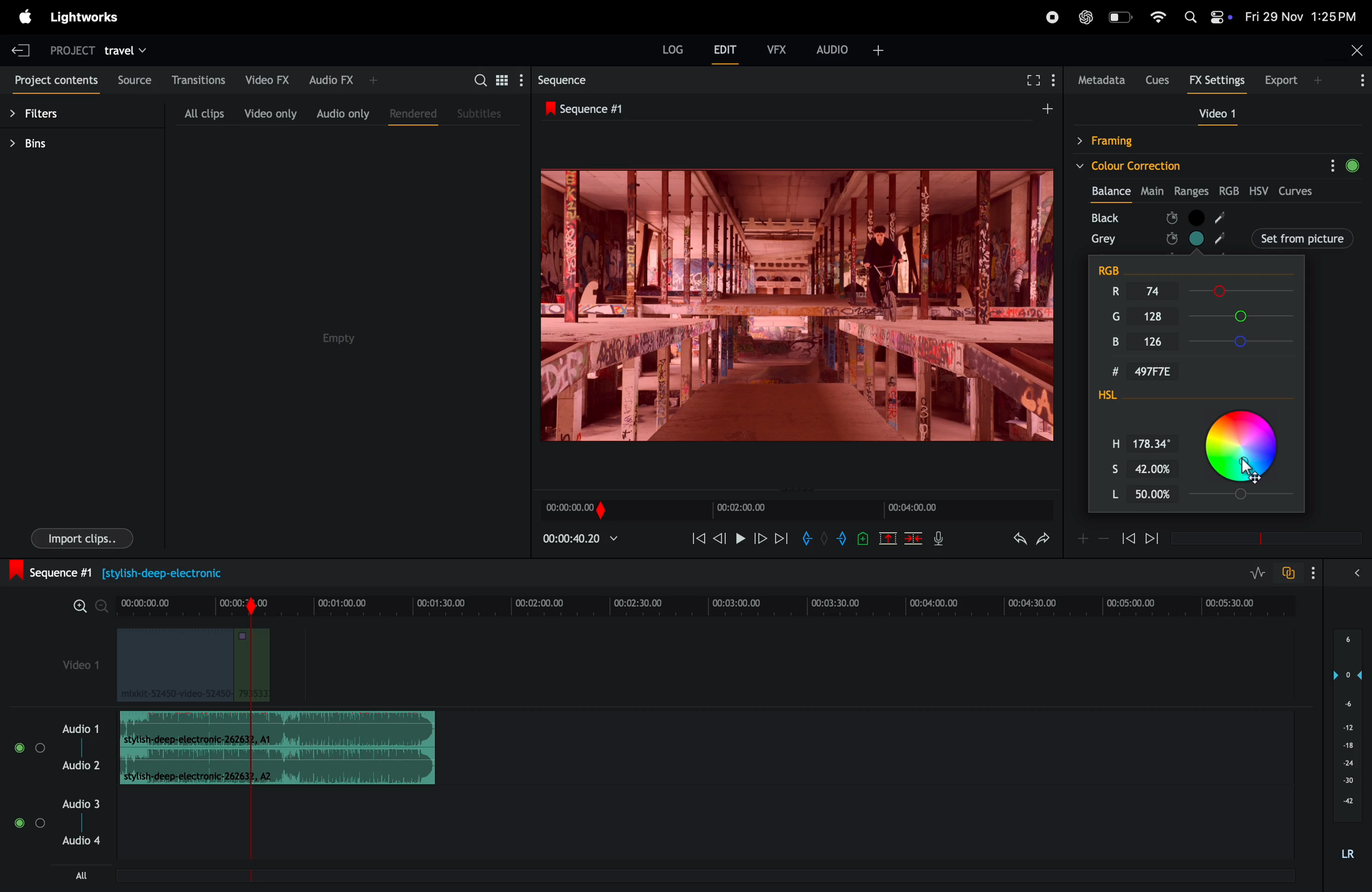 The height and width of the screenshot is (892, 1372). What do you see at coordinates (1356, 573) in the screenshot?
I see `expand` at bounding box center [1356, 573].